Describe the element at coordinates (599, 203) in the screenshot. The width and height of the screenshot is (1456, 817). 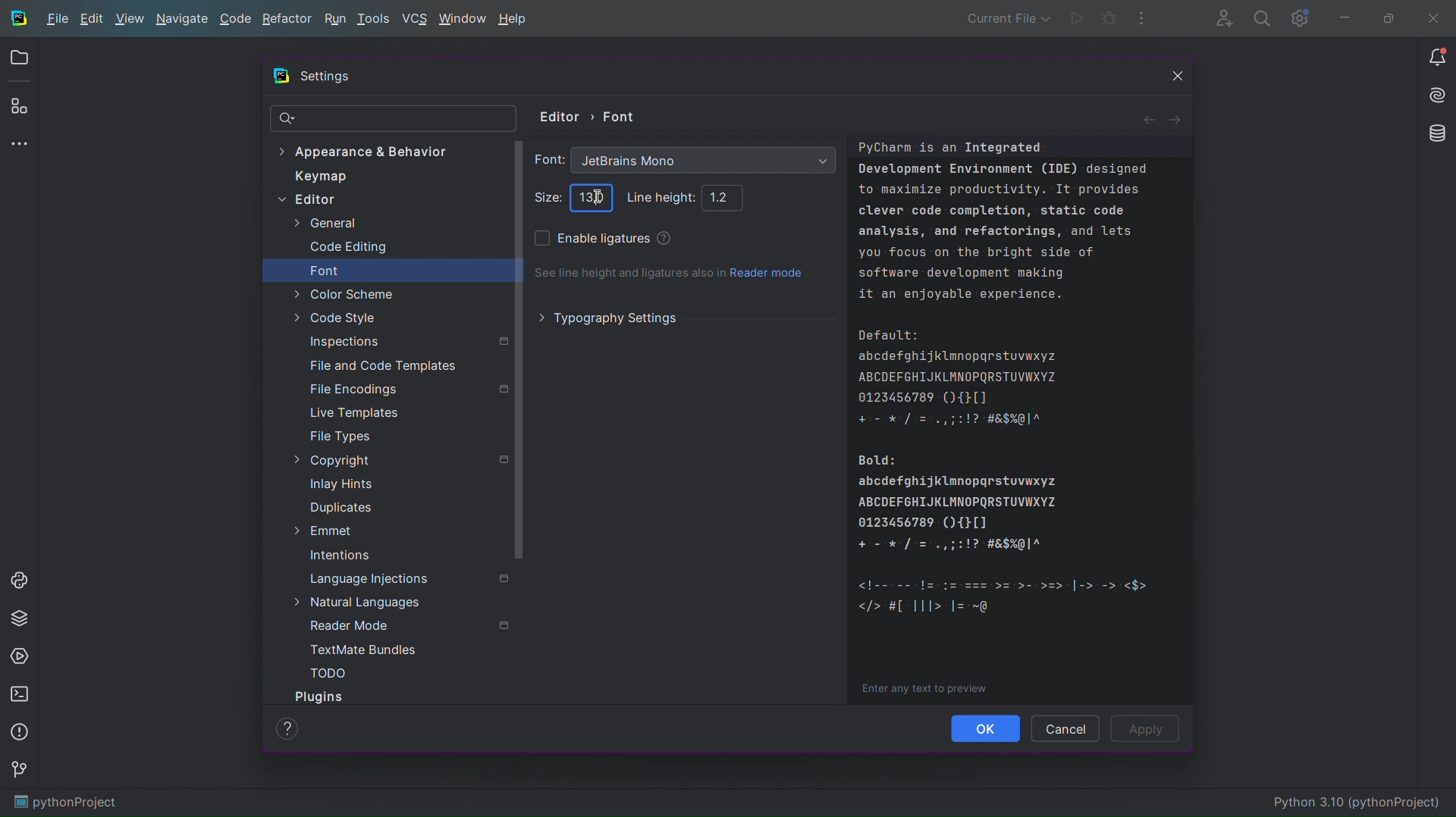
I see `Cursor` at that location.